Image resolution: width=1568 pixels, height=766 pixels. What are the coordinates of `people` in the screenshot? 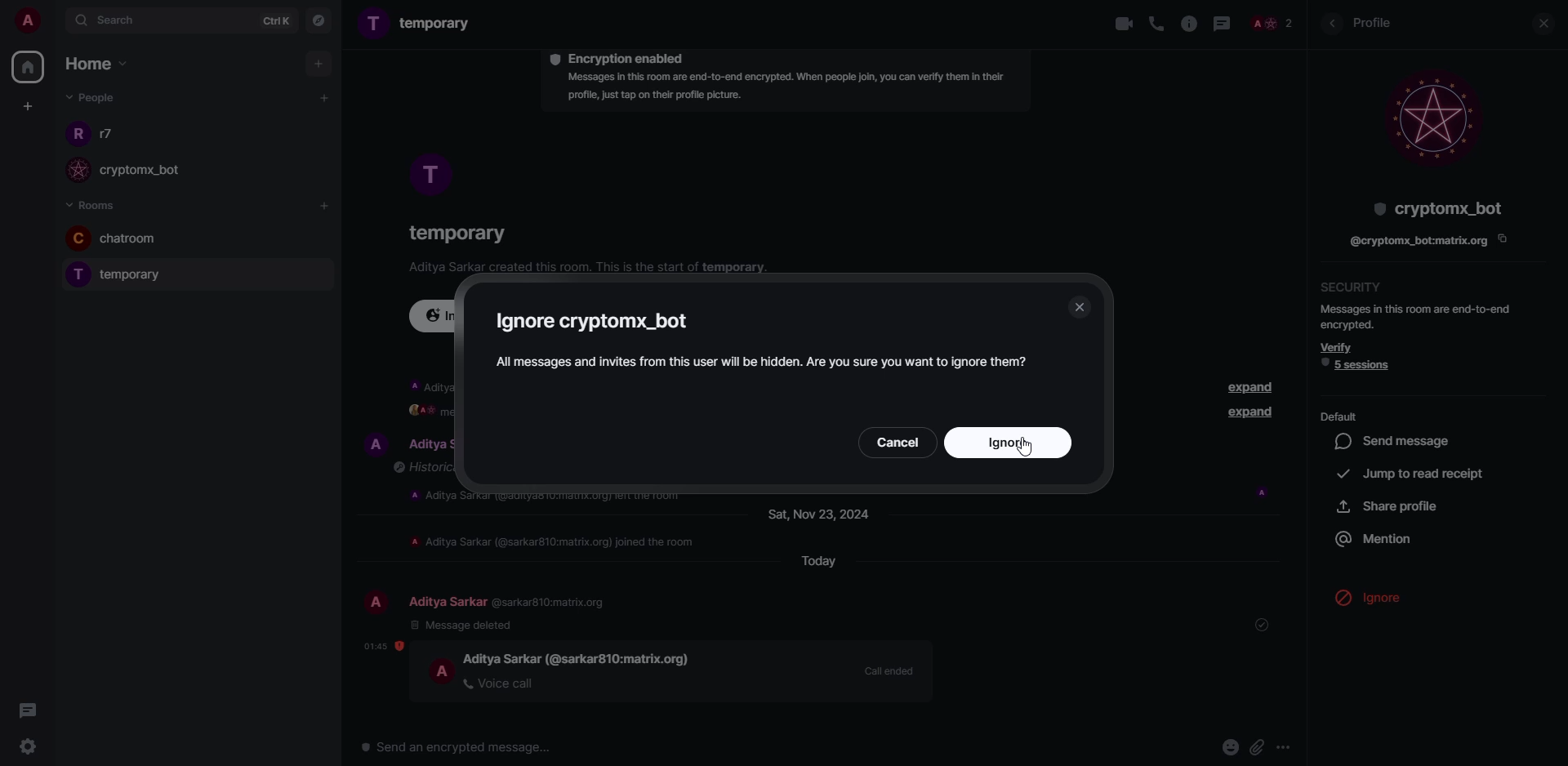 It's located at (1272, 23).